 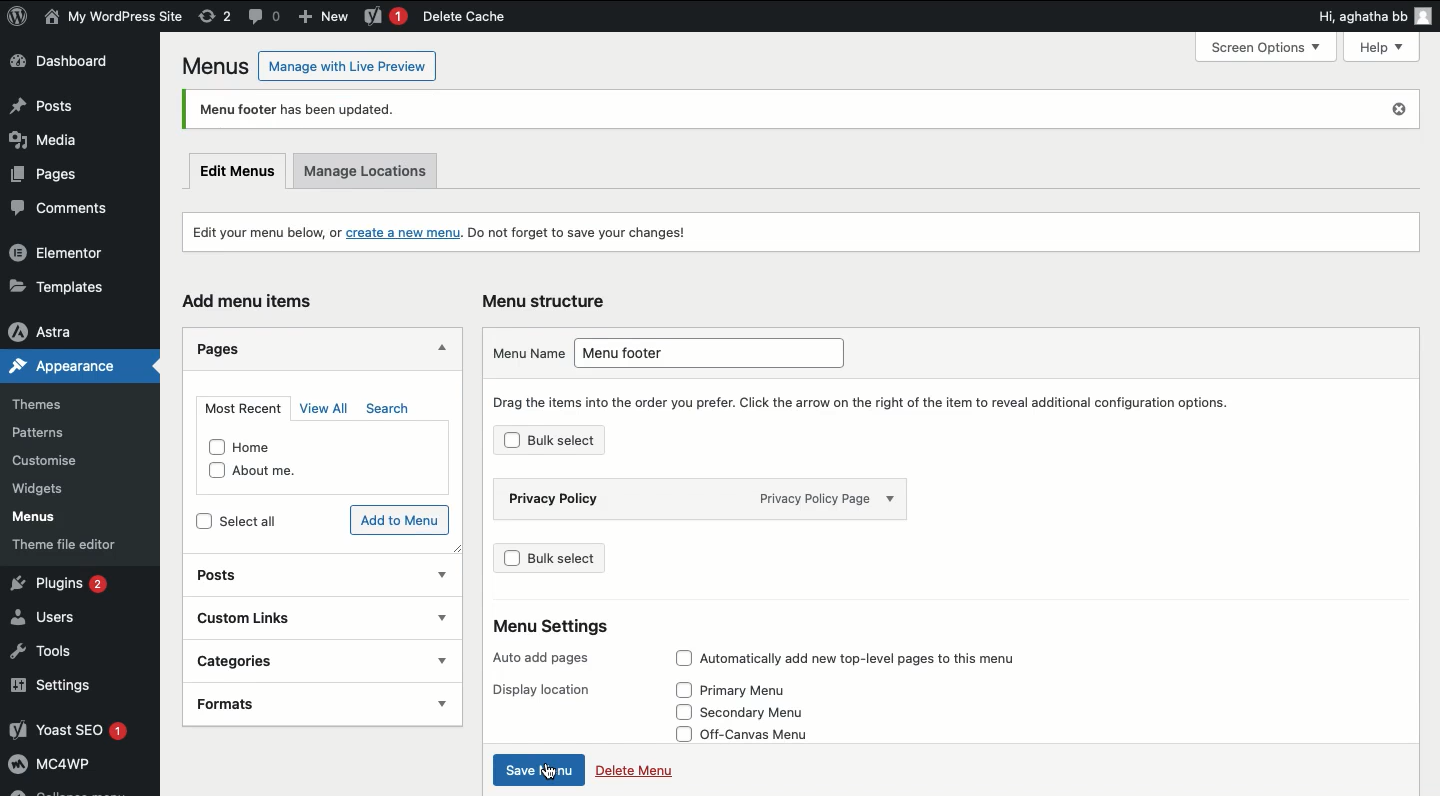 What do you see at coordinates (400, 520) in the screenshot?
I see `Add to menu` at bounding box center [400, 520].